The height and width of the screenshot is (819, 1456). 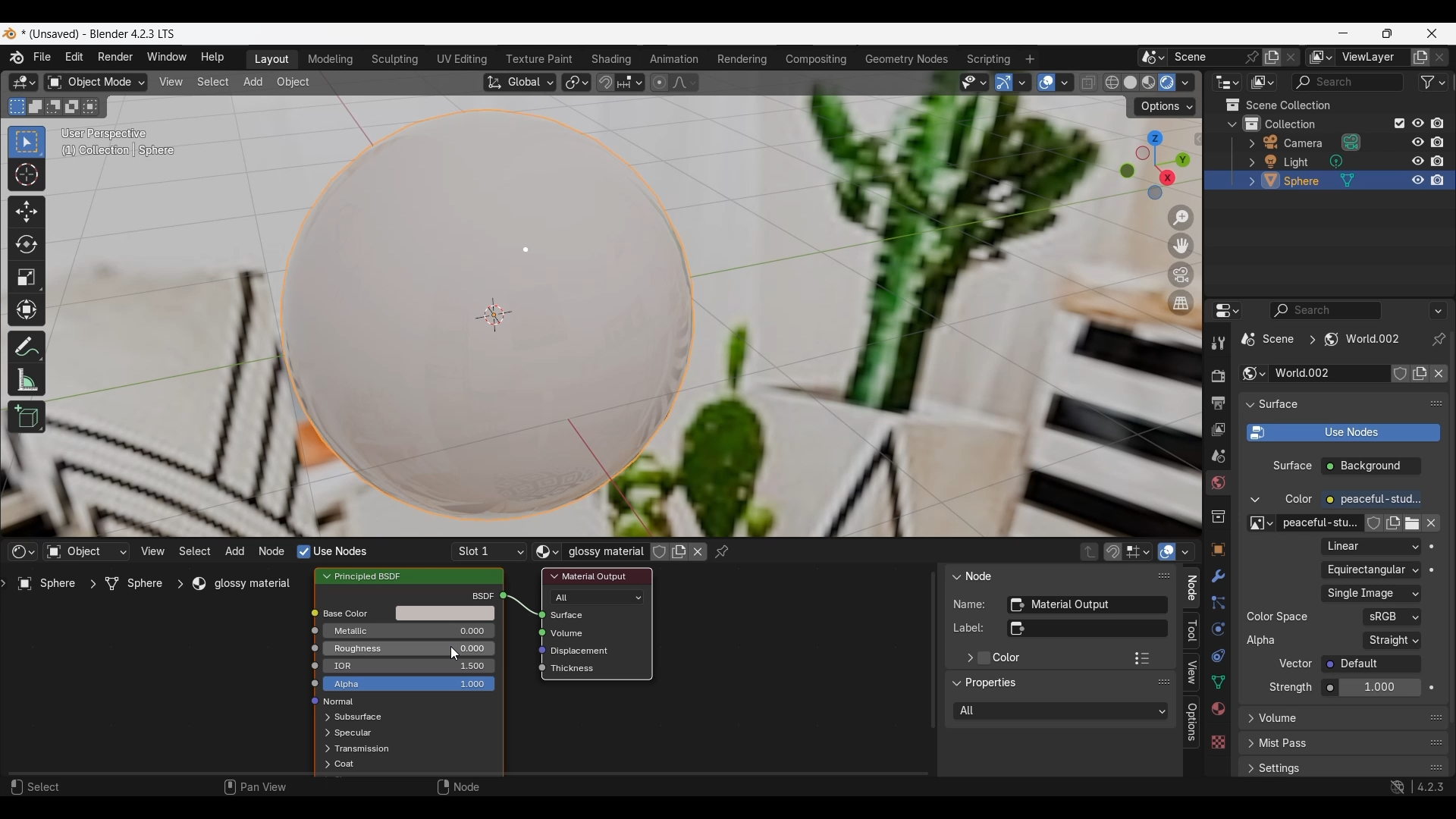 I want to click on Unlink data-block, so click(x=1439, y=374).